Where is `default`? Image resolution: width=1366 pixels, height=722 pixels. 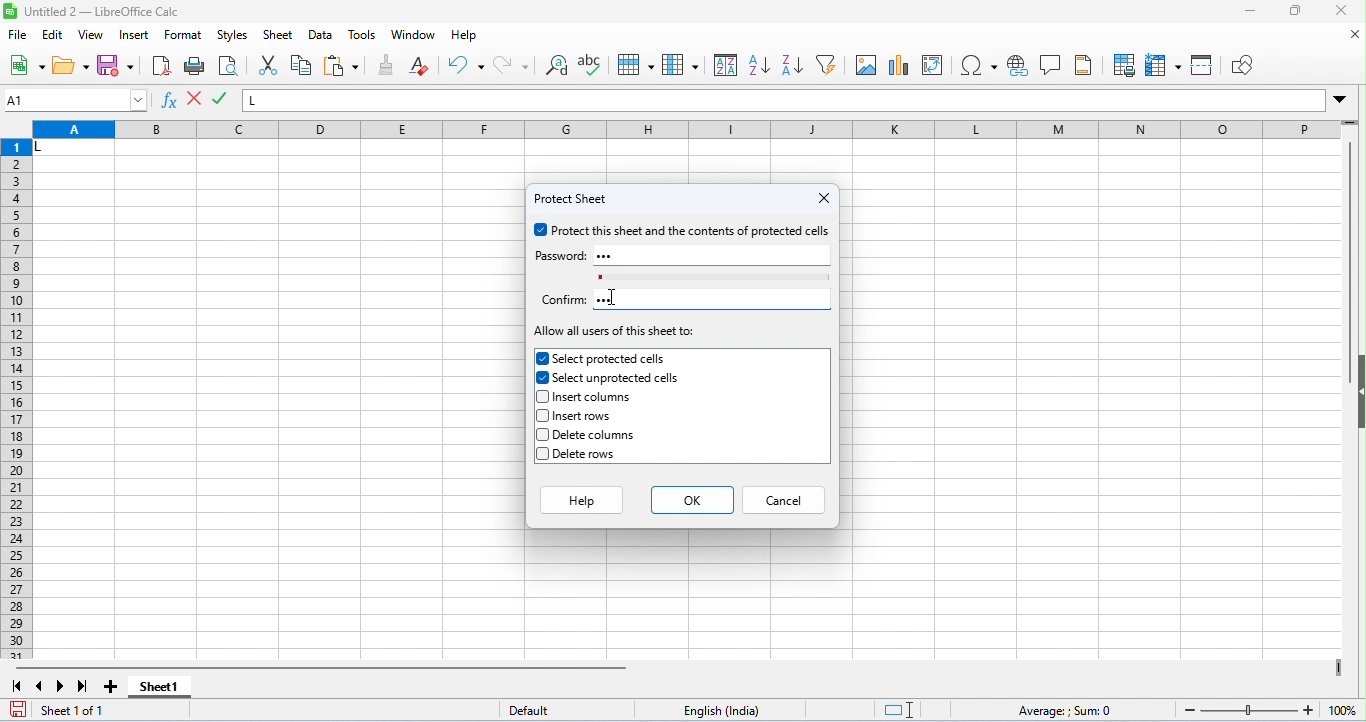 default is located at coordinates (539, 711).